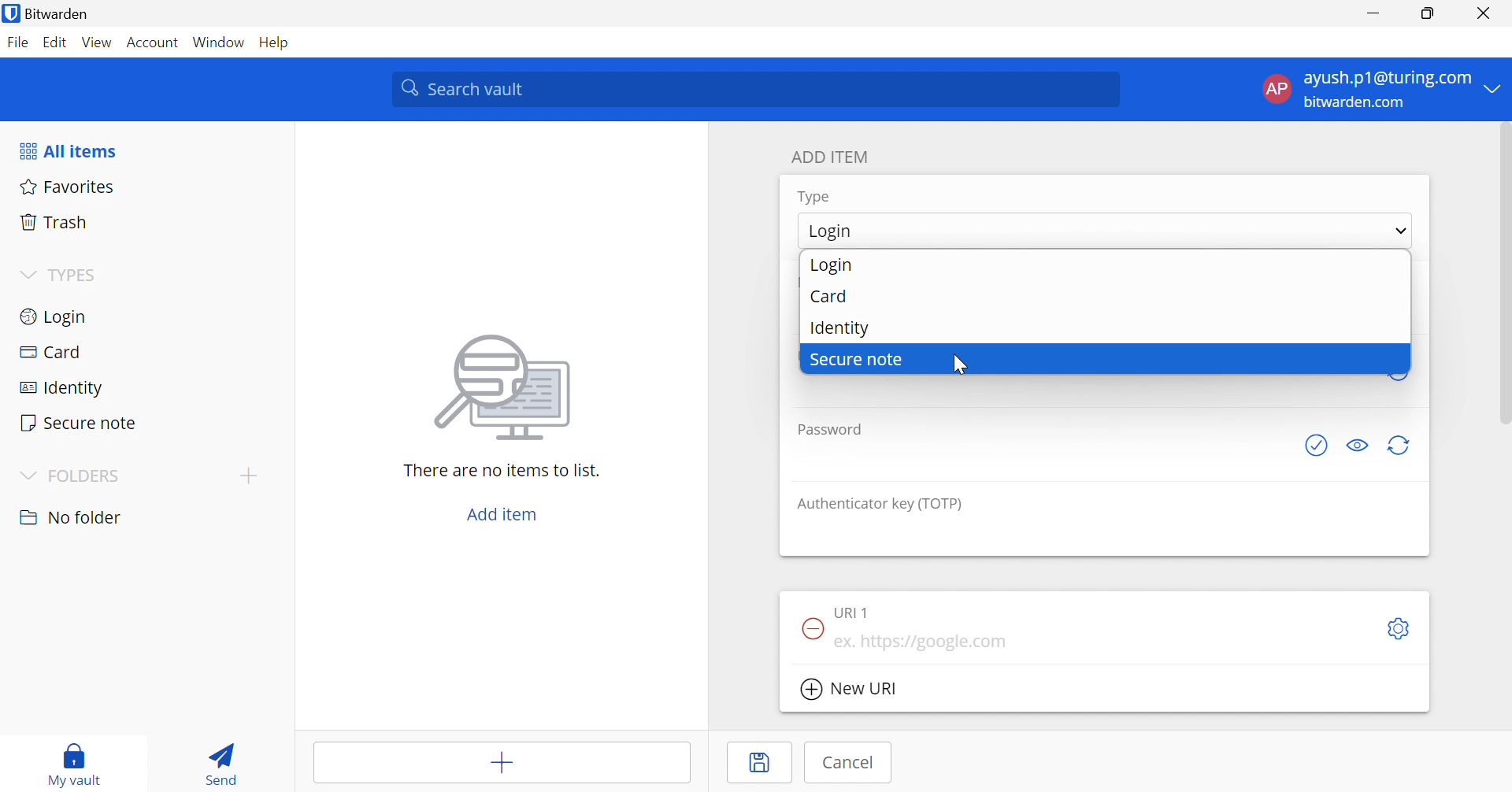 The image size is (1512, 792). What do you see at coordinates (1360, 446) in the screenshot?
I see `Toggle visibility` at bounding box center [1360, 446].